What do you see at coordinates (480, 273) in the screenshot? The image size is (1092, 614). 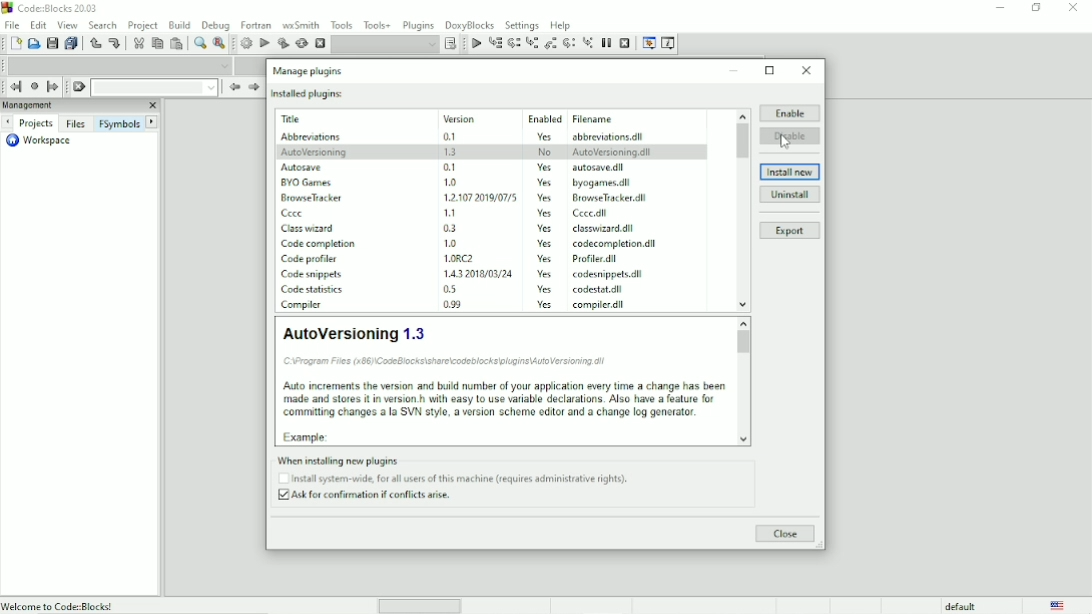 I see `1.4.3 2018/03/24` at bounding box center [480, 273].